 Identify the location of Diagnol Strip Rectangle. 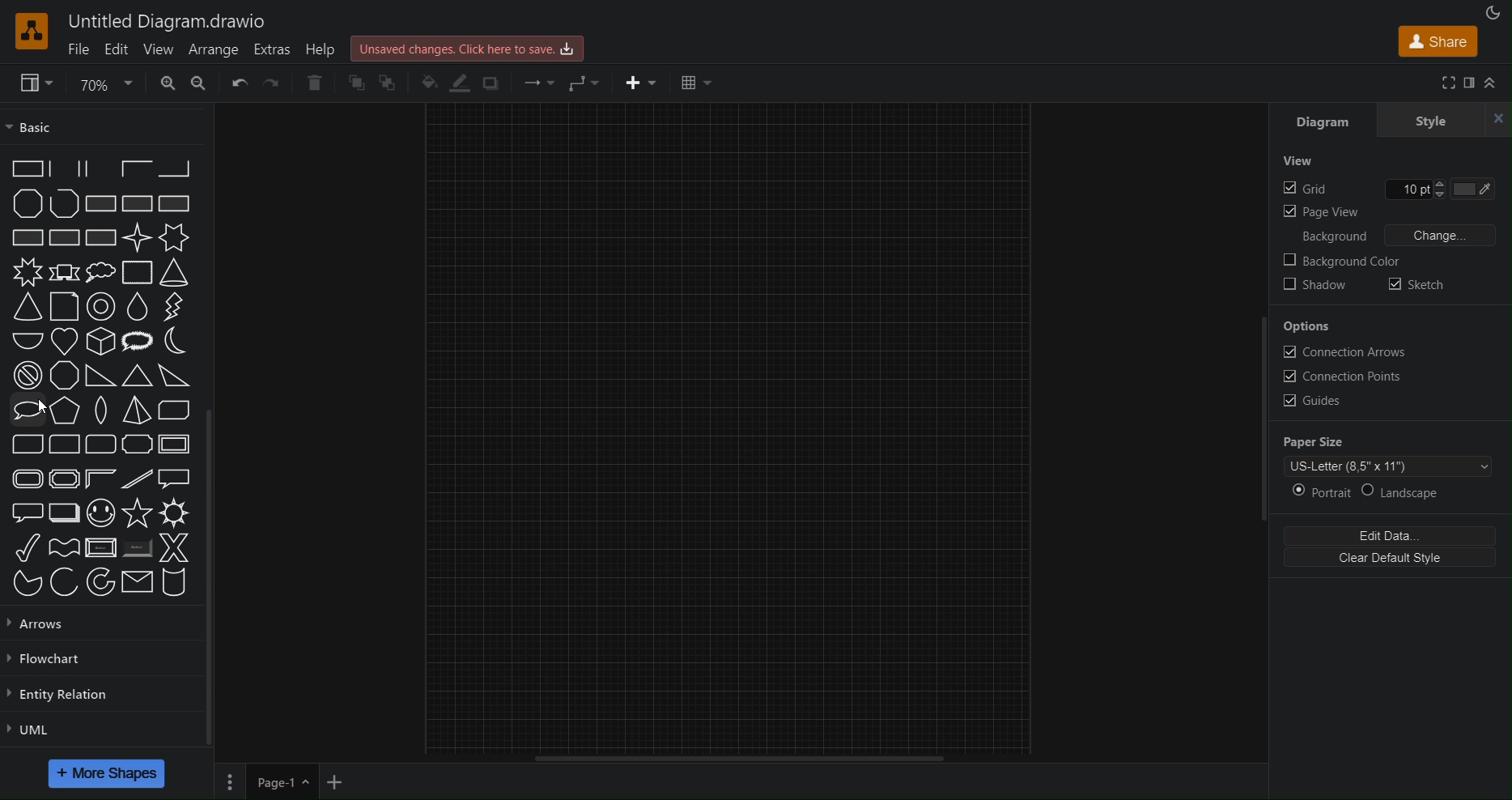
(173, 411).